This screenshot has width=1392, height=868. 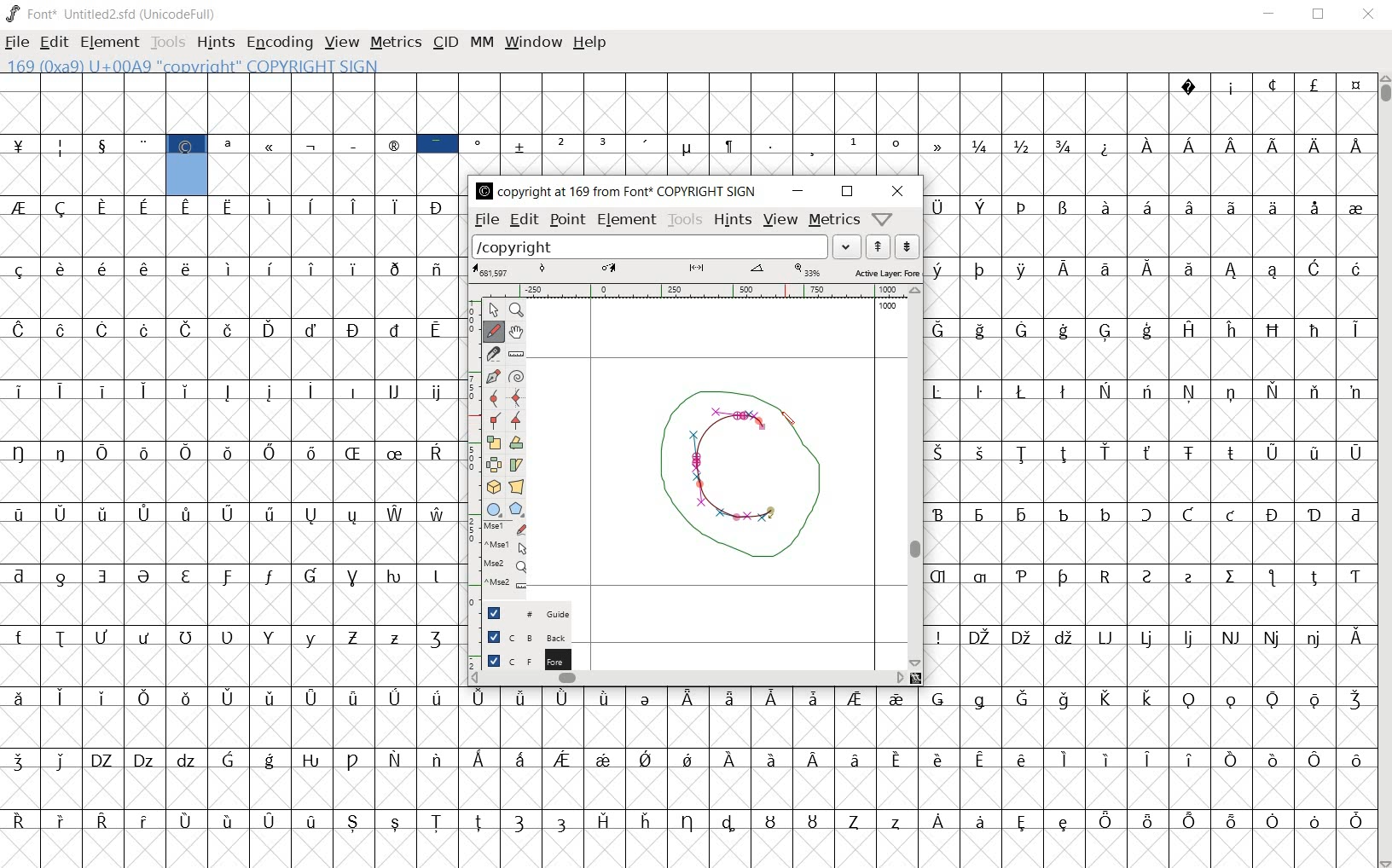 What do you see at coordinates (518, 464) in the screenshot?
I see `Rotate the selection` at bounding box center [518, 464].